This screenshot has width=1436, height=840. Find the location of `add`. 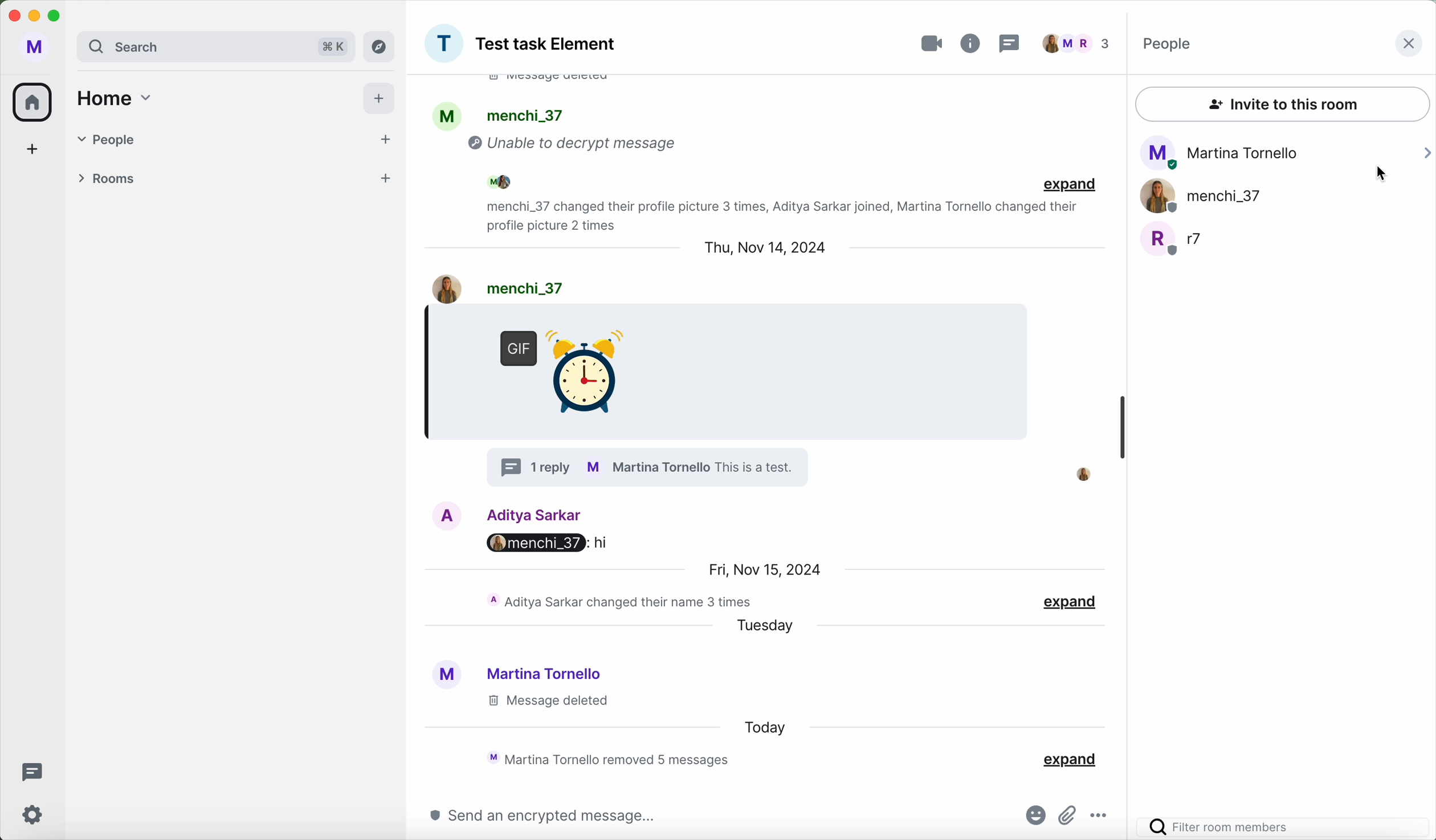

add is located at coordinates (385, 178).